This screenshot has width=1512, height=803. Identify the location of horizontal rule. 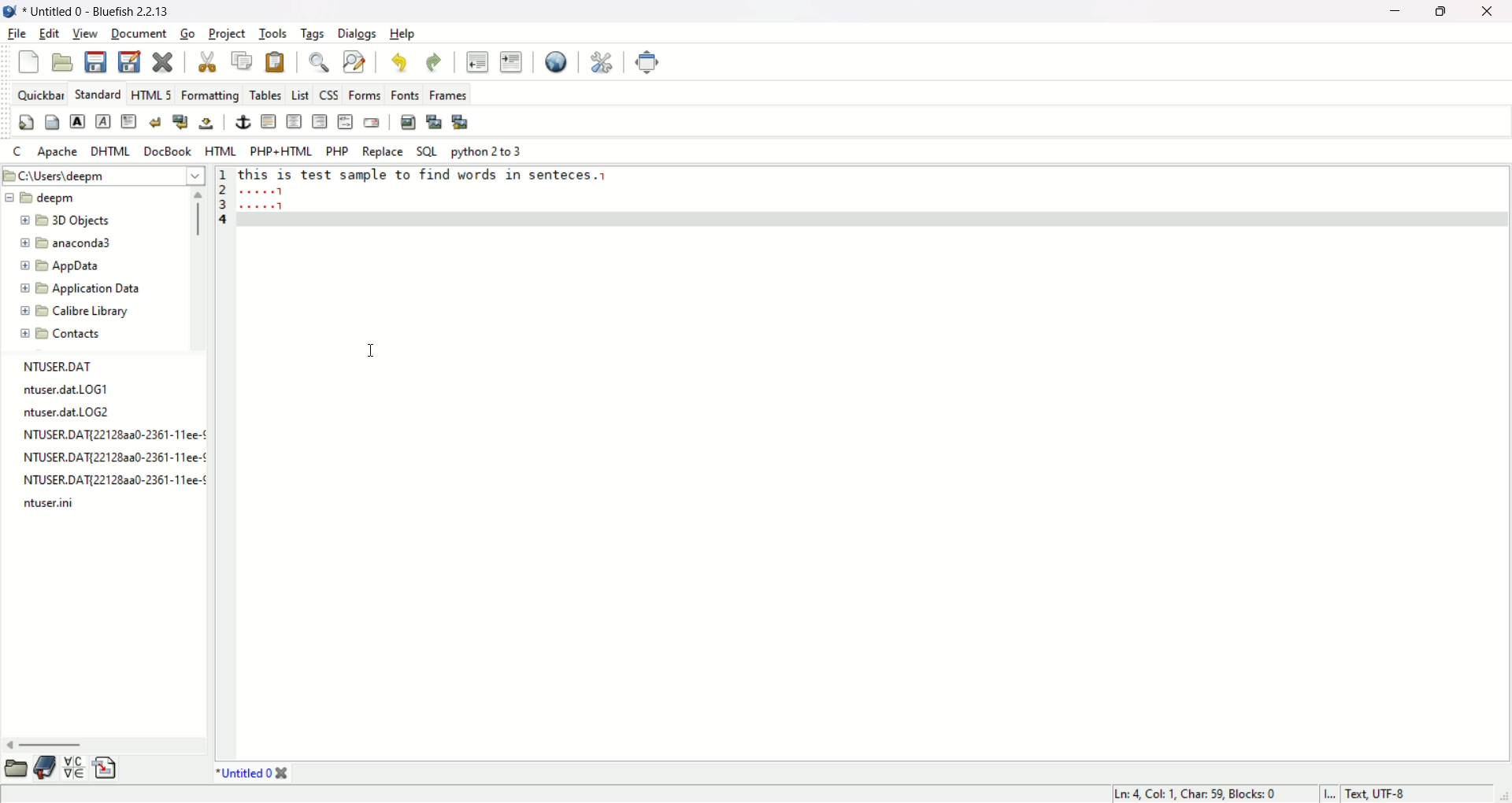
(269, 122).